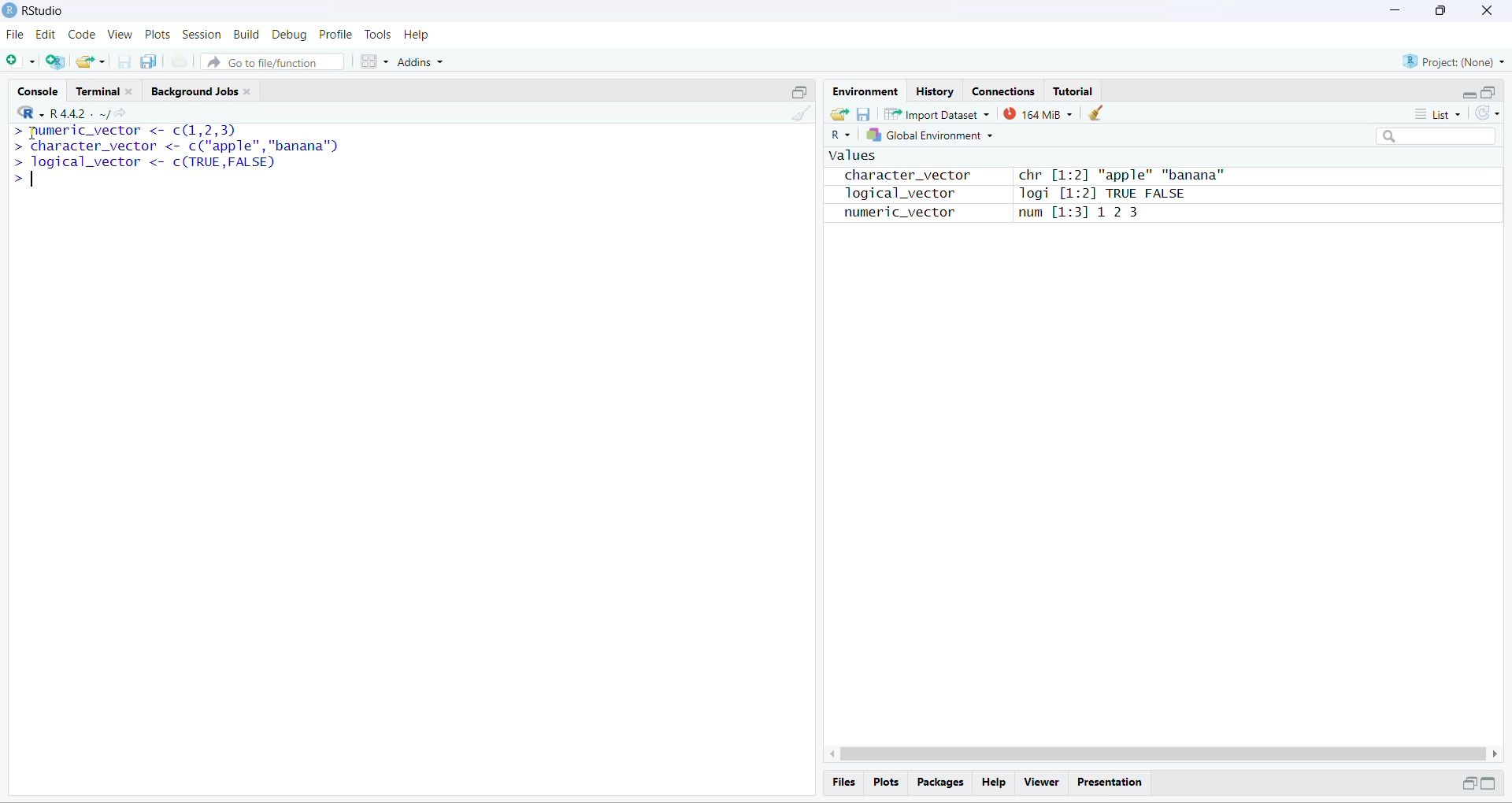 The width and height of the screenshot is (1512, 803). What do you see at coordinates (31, 133) in the screenshot?
I see `cursor` at bounding box center [31, 133].